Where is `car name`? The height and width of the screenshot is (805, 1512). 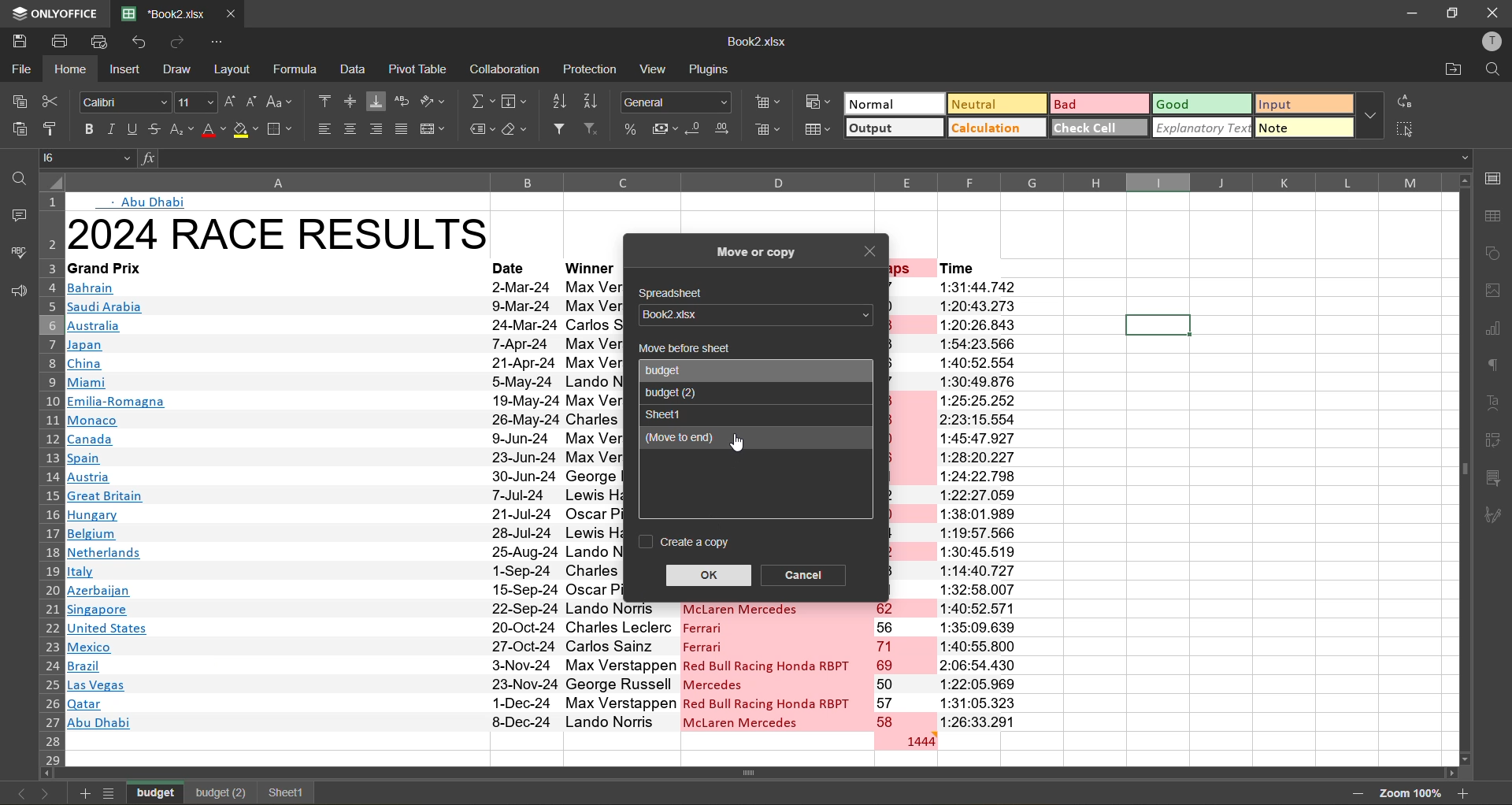
car name is located at coordinates (775, 666).